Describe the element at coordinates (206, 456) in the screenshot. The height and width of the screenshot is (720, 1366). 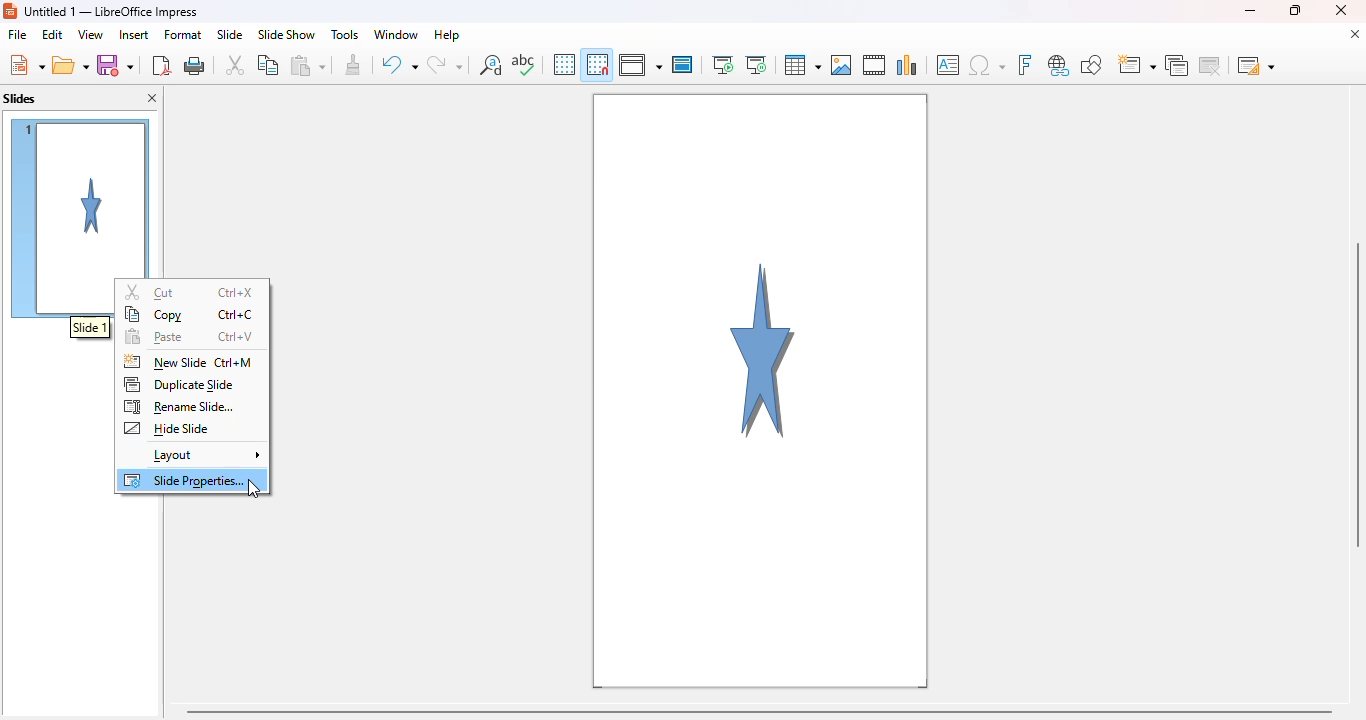
I see `layout` at that location.